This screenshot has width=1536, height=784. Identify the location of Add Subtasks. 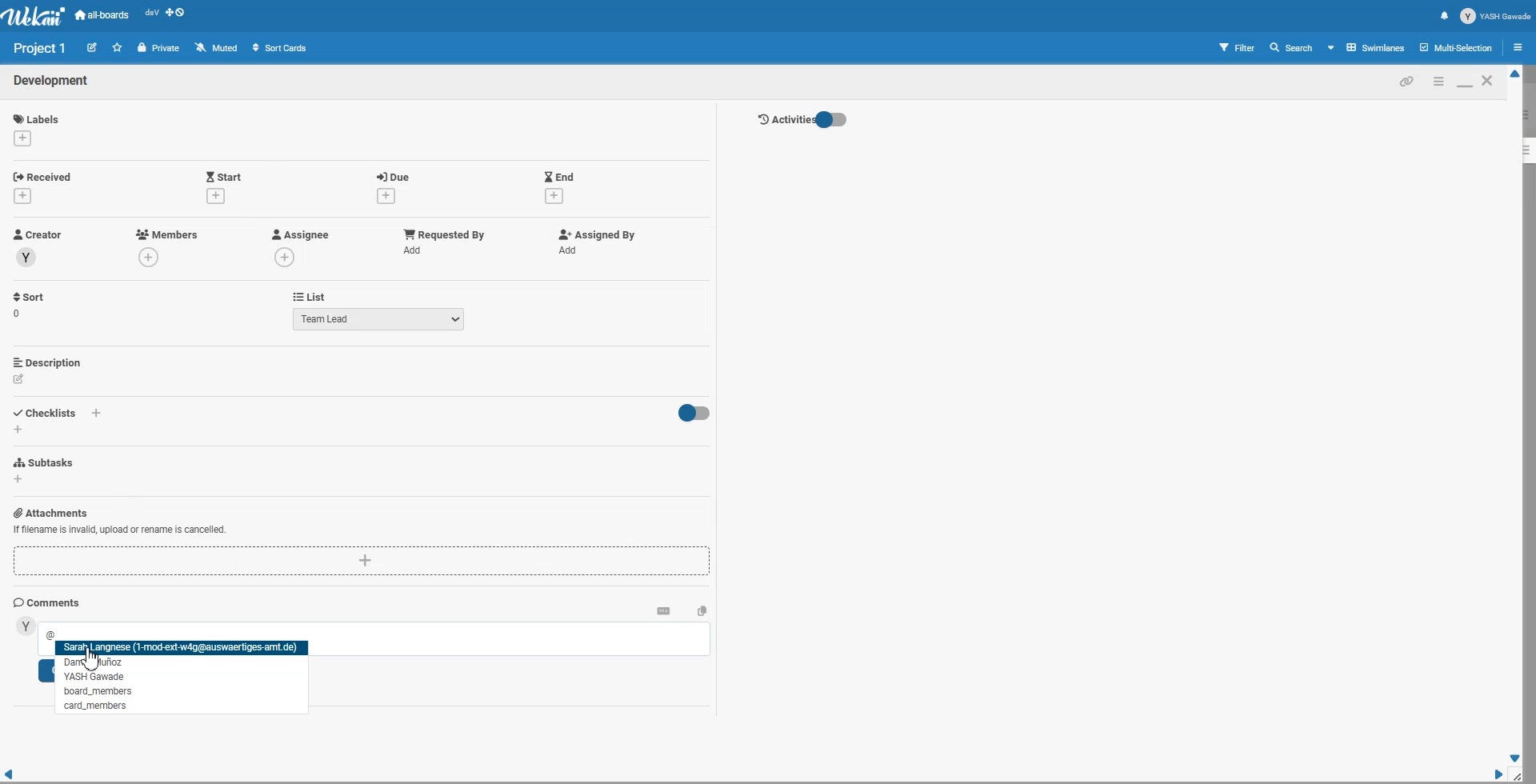
(46, 462).